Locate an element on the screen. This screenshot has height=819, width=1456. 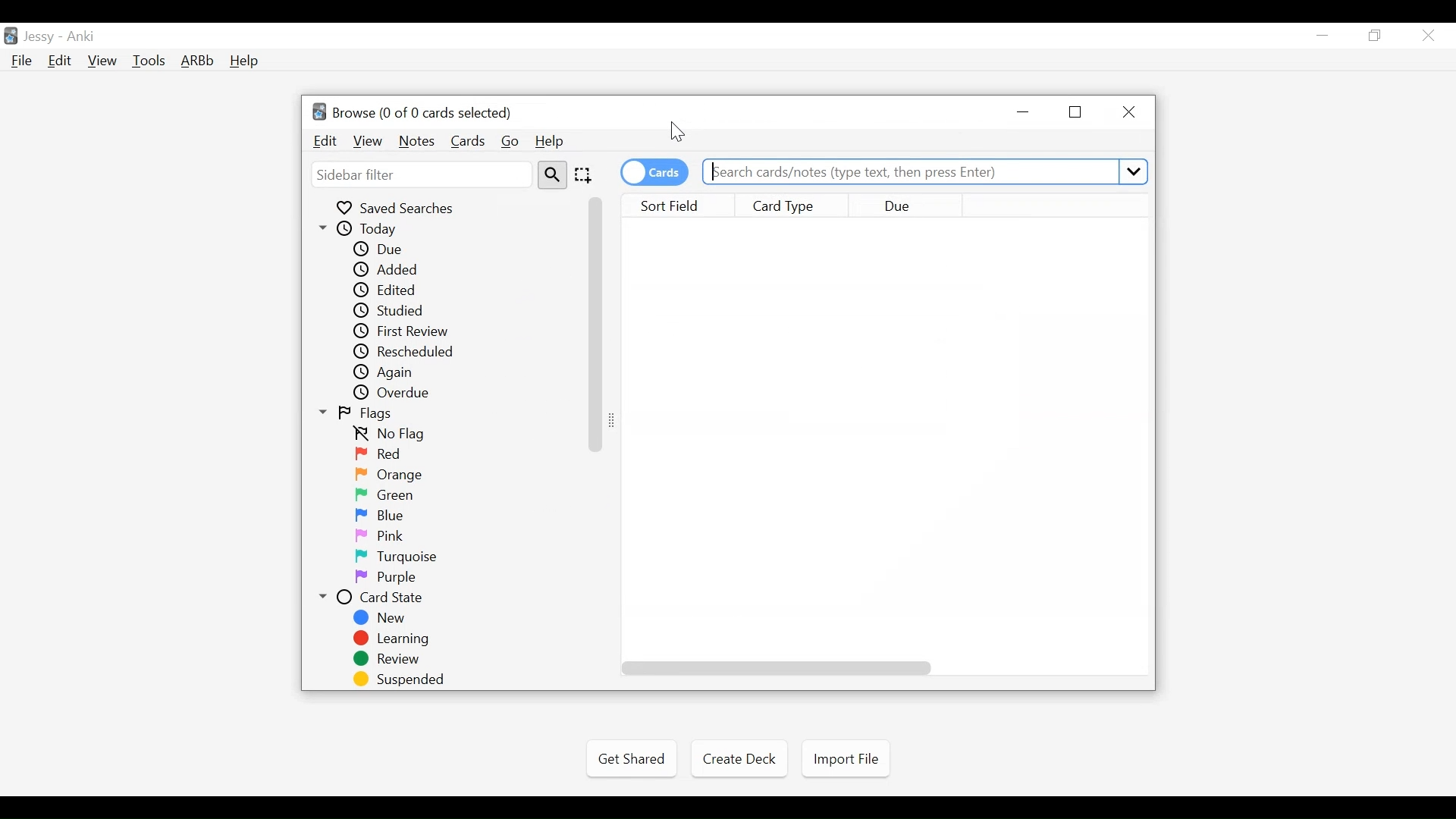
Overdue is located at coordinates (397, 394).